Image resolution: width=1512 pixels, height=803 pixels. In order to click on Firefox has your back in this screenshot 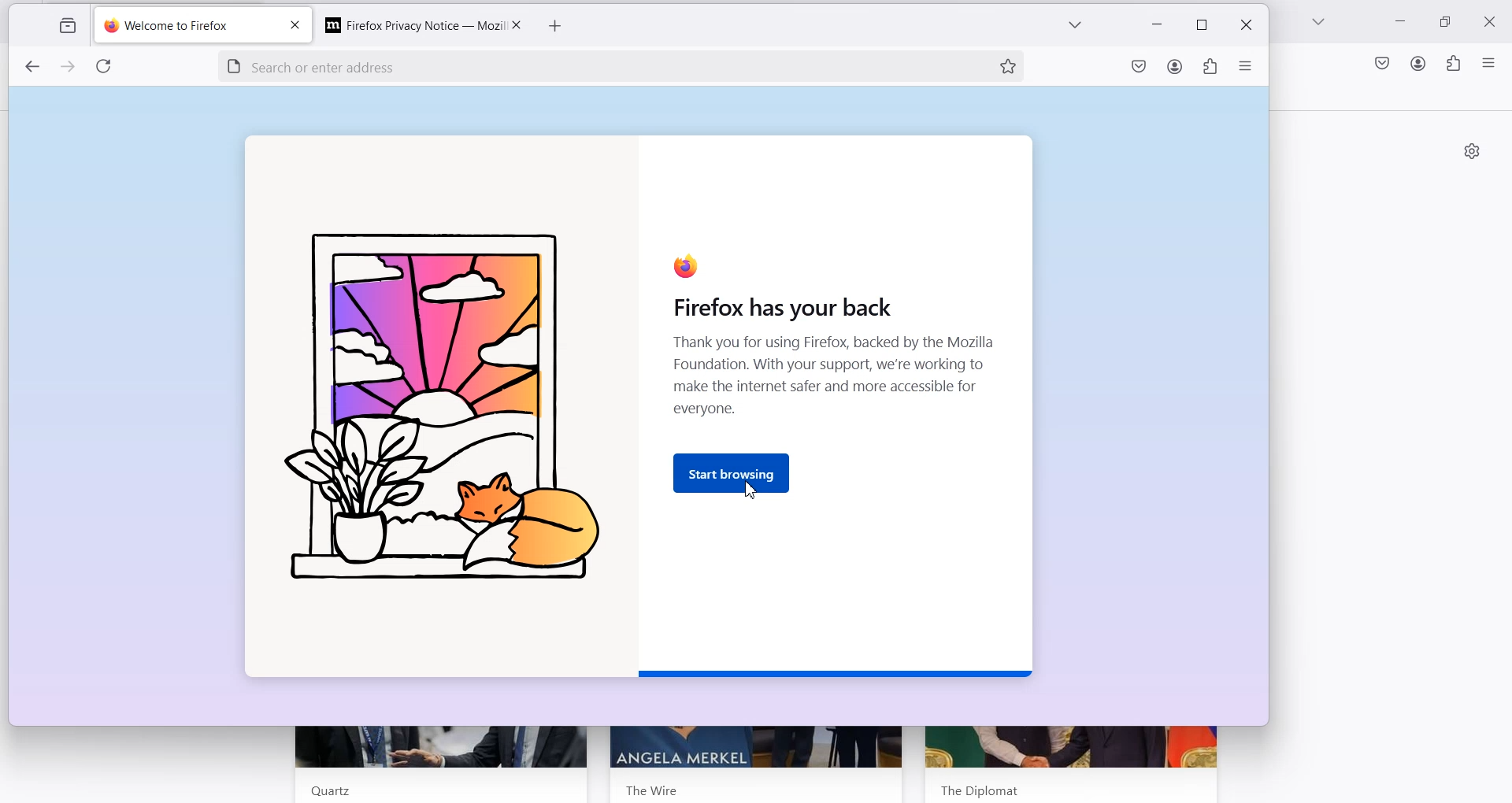, I will do `click(771, 309)`.